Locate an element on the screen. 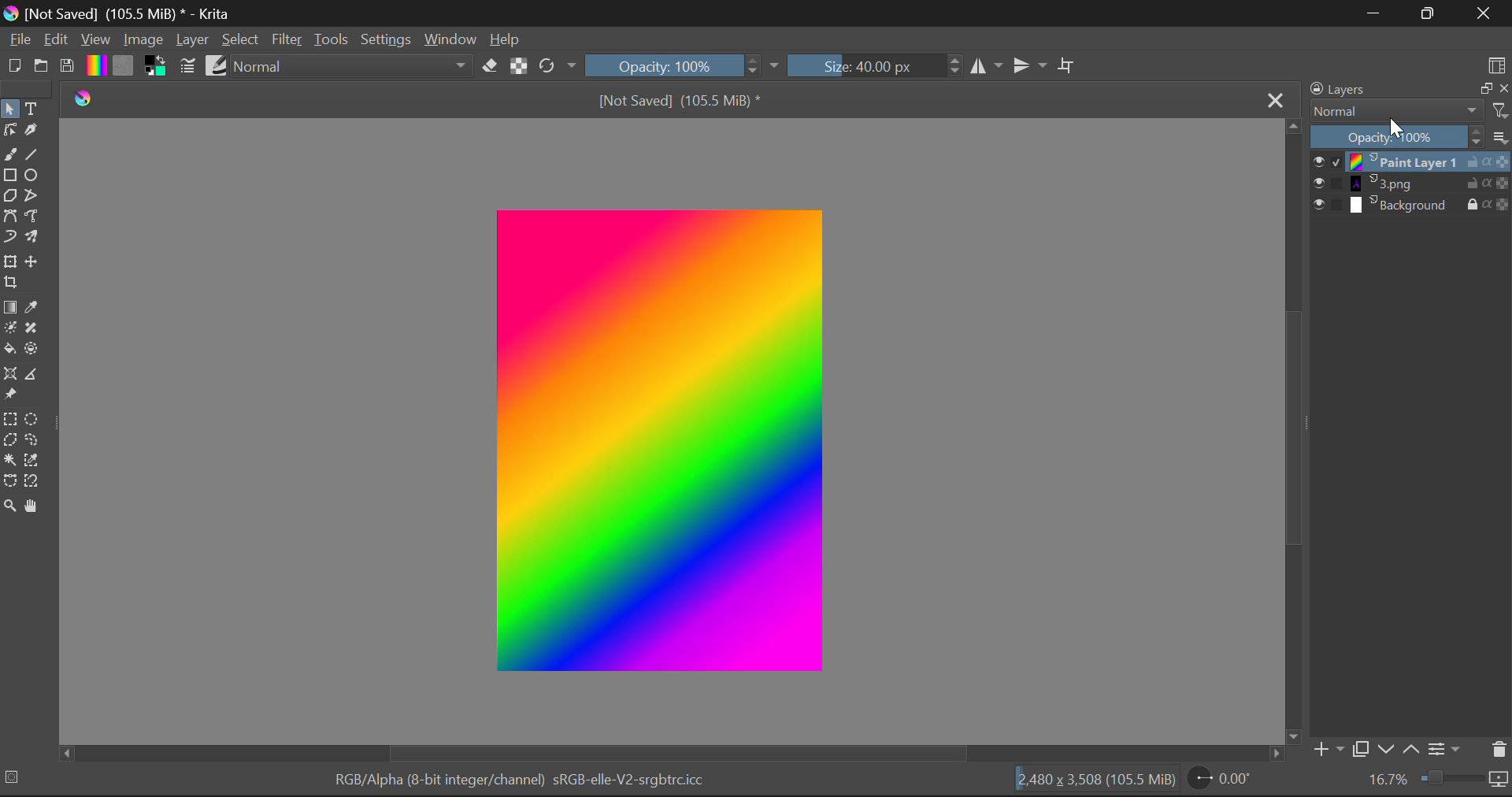 The width and height of the screenshot is (1512, 797). Polygon Selection is located at coordinates (10, 440).